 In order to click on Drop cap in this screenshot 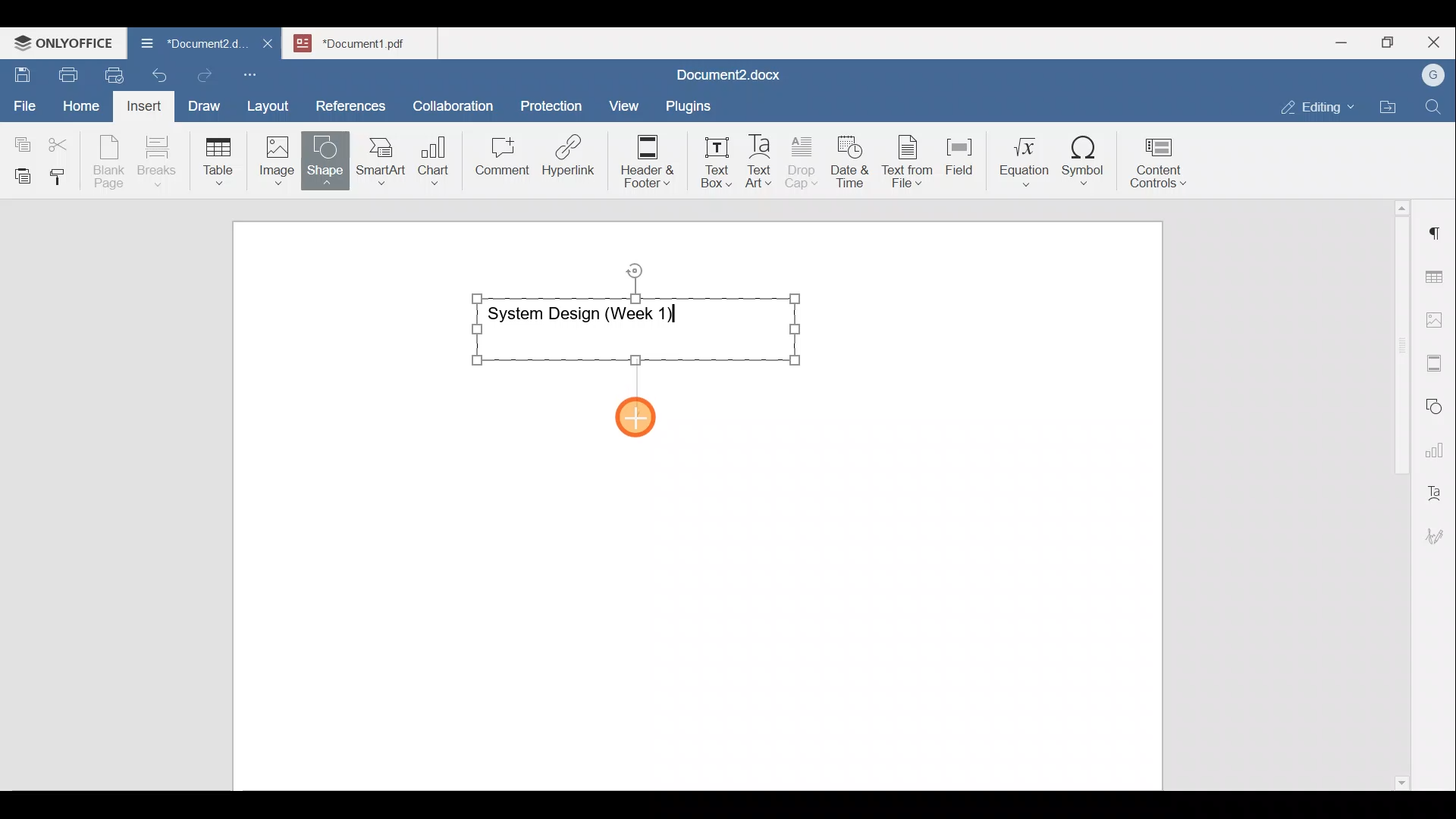, I will do `click(805, 160)`.